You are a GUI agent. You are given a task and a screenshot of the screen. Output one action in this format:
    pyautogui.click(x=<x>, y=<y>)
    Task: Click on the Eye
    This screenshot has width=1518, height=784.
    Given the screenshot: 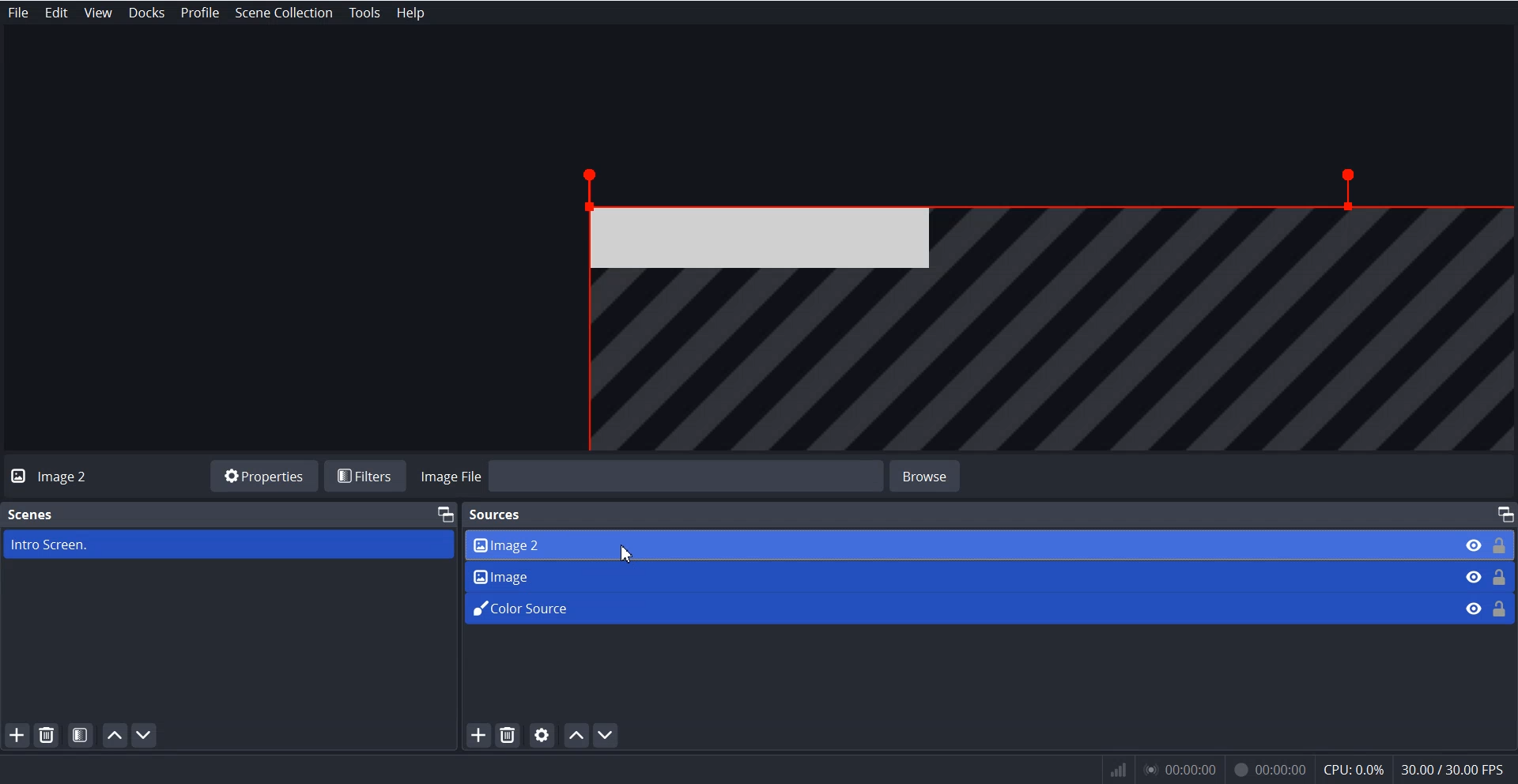 What is the action you would take?
    pyautogui.click(x=1472, y=576)
    